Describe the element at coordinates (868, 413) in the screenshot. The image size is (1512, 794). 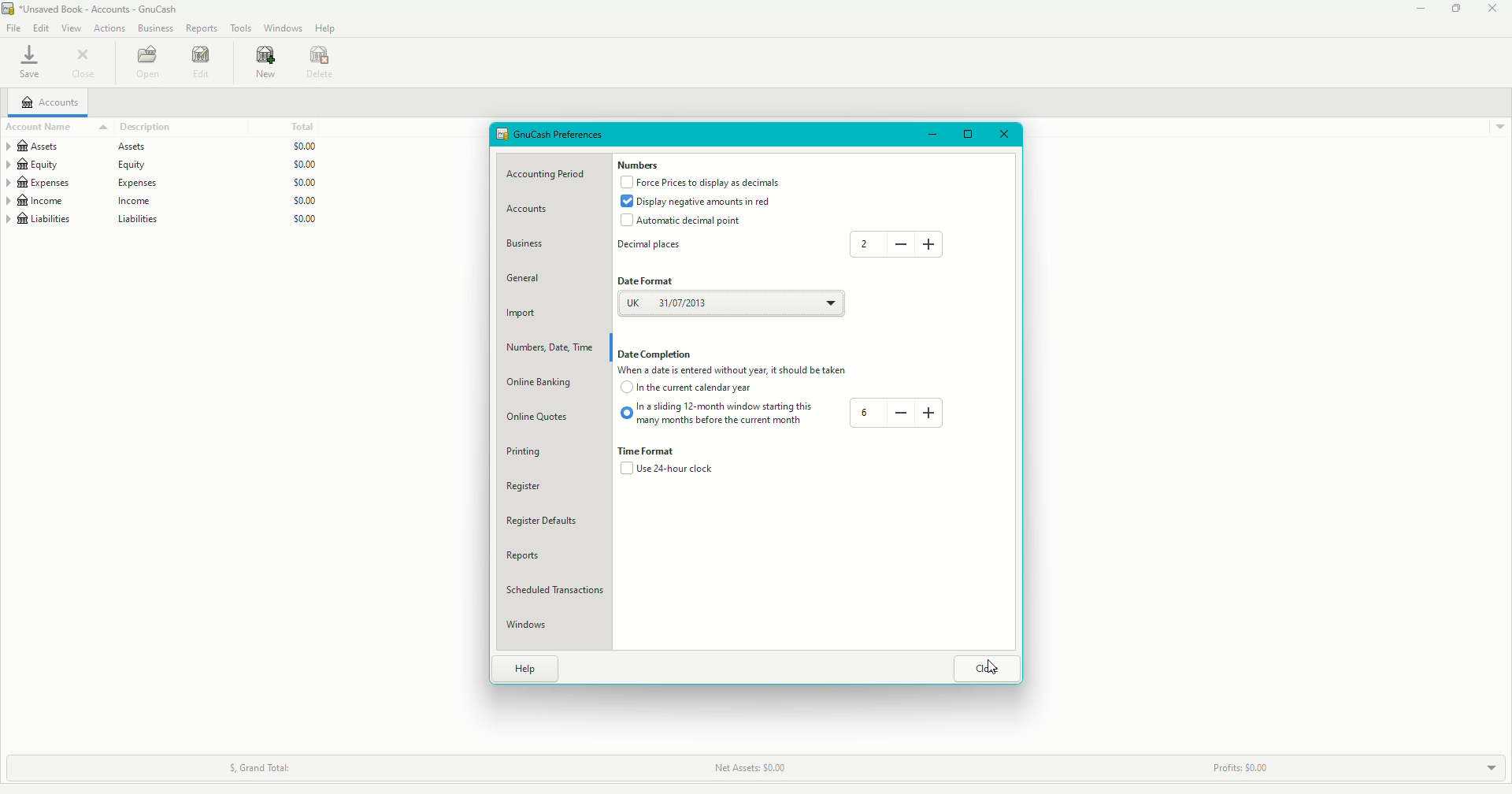
I see `6` at that location.